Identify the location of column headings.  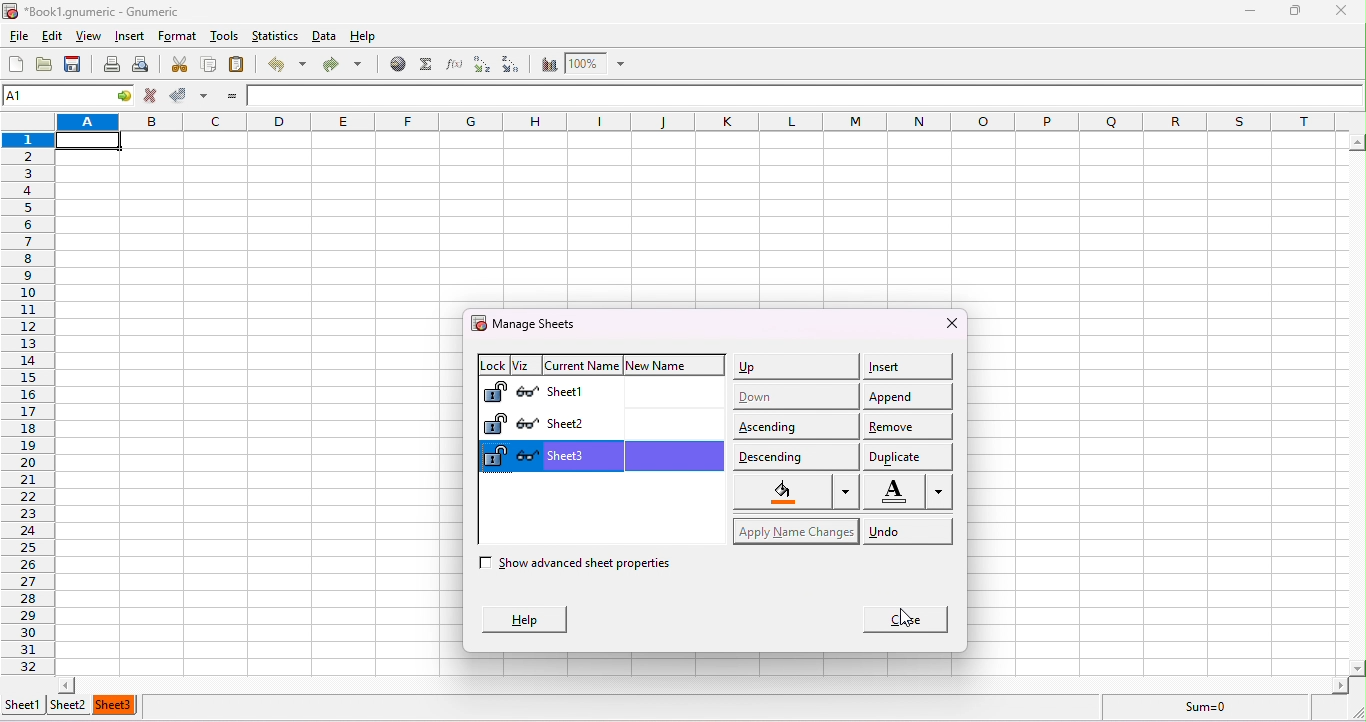
(705, 121).